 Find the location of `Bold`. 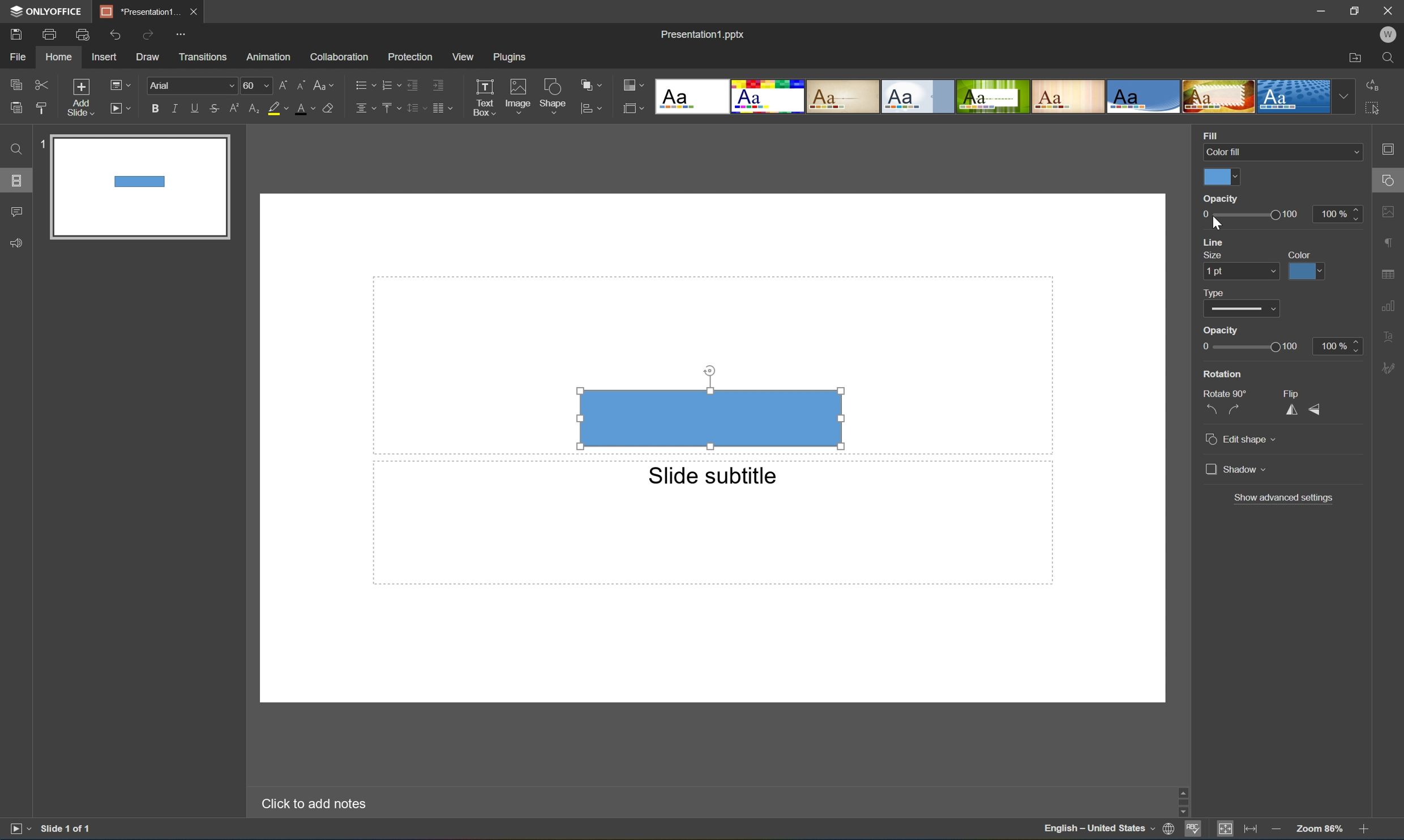

Bold is located at coordinates (153, 108).